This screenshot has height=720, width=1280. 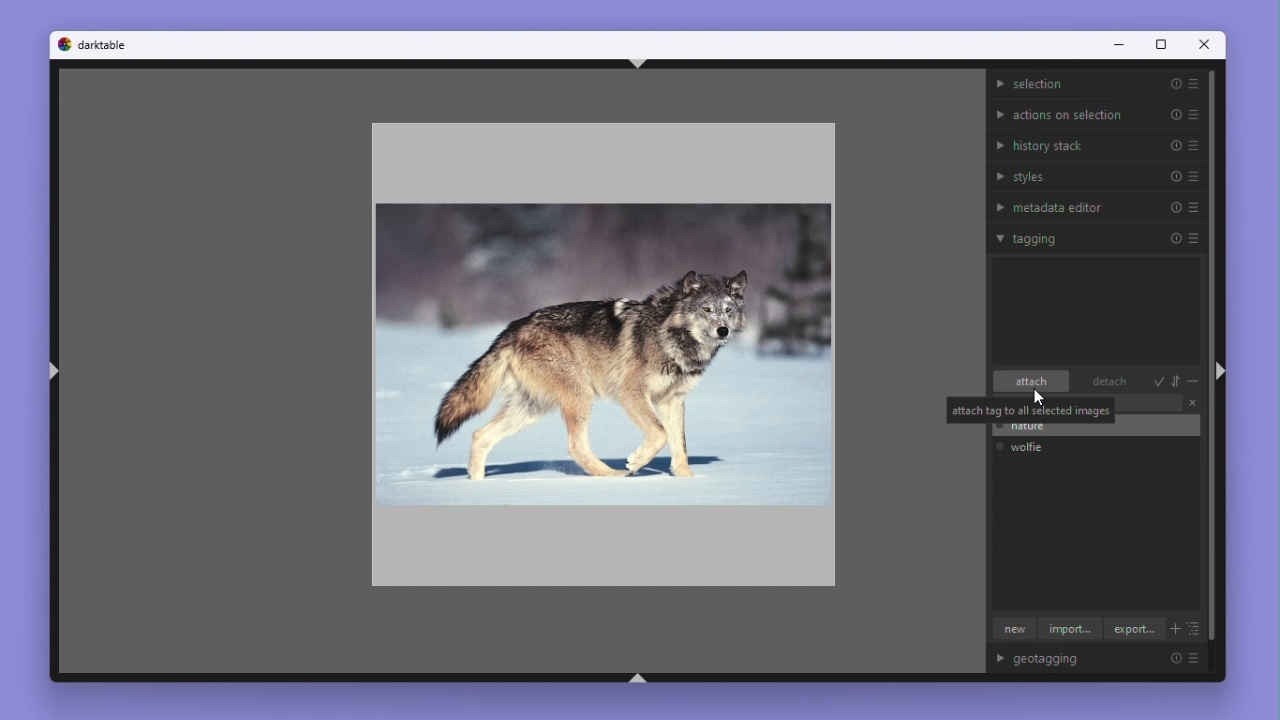 I want to click on ctrl+shift+r, so click(x=1219, y=370).